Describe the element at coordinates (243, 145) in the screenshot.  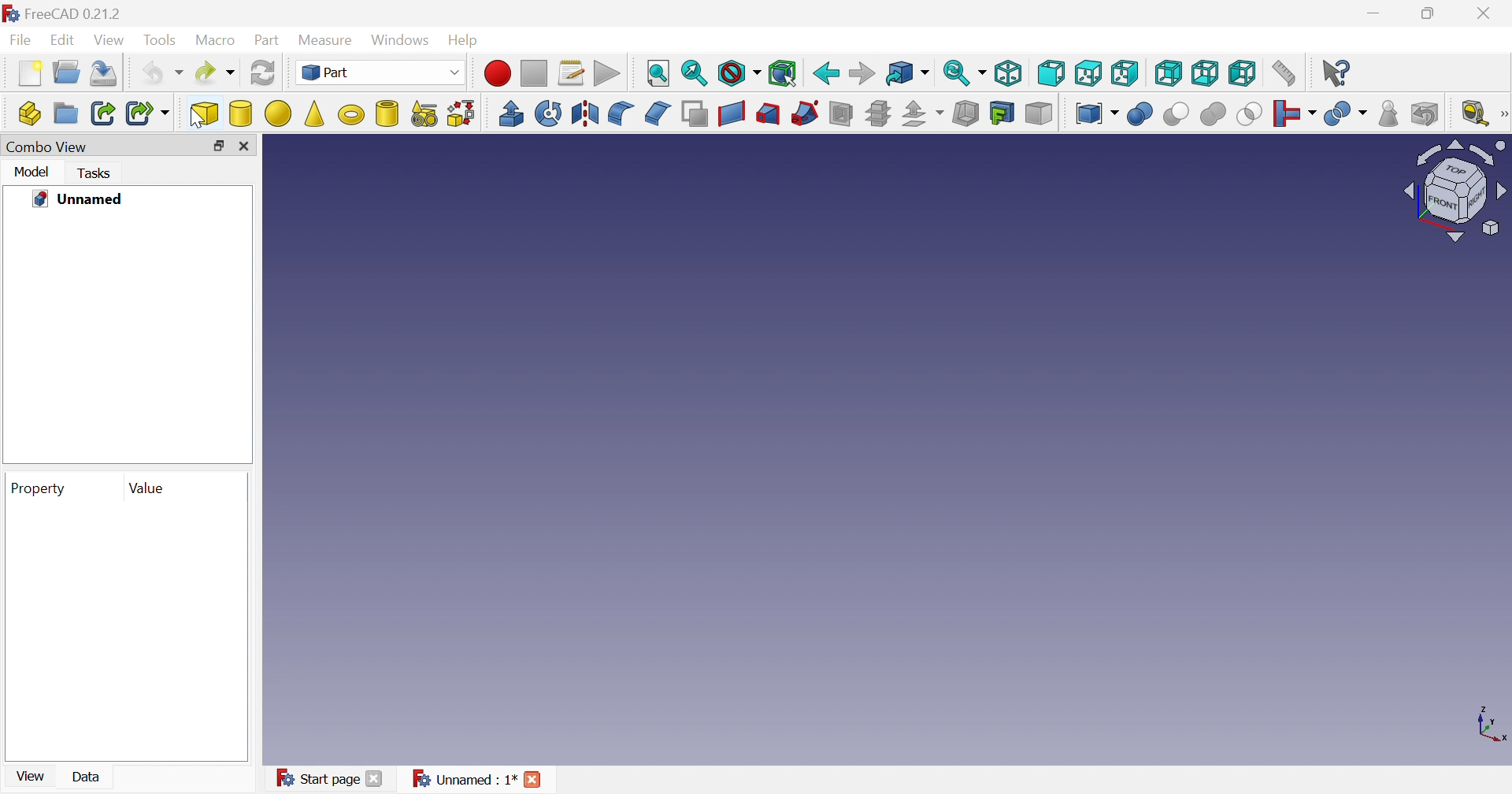
I see `Close` at that location.